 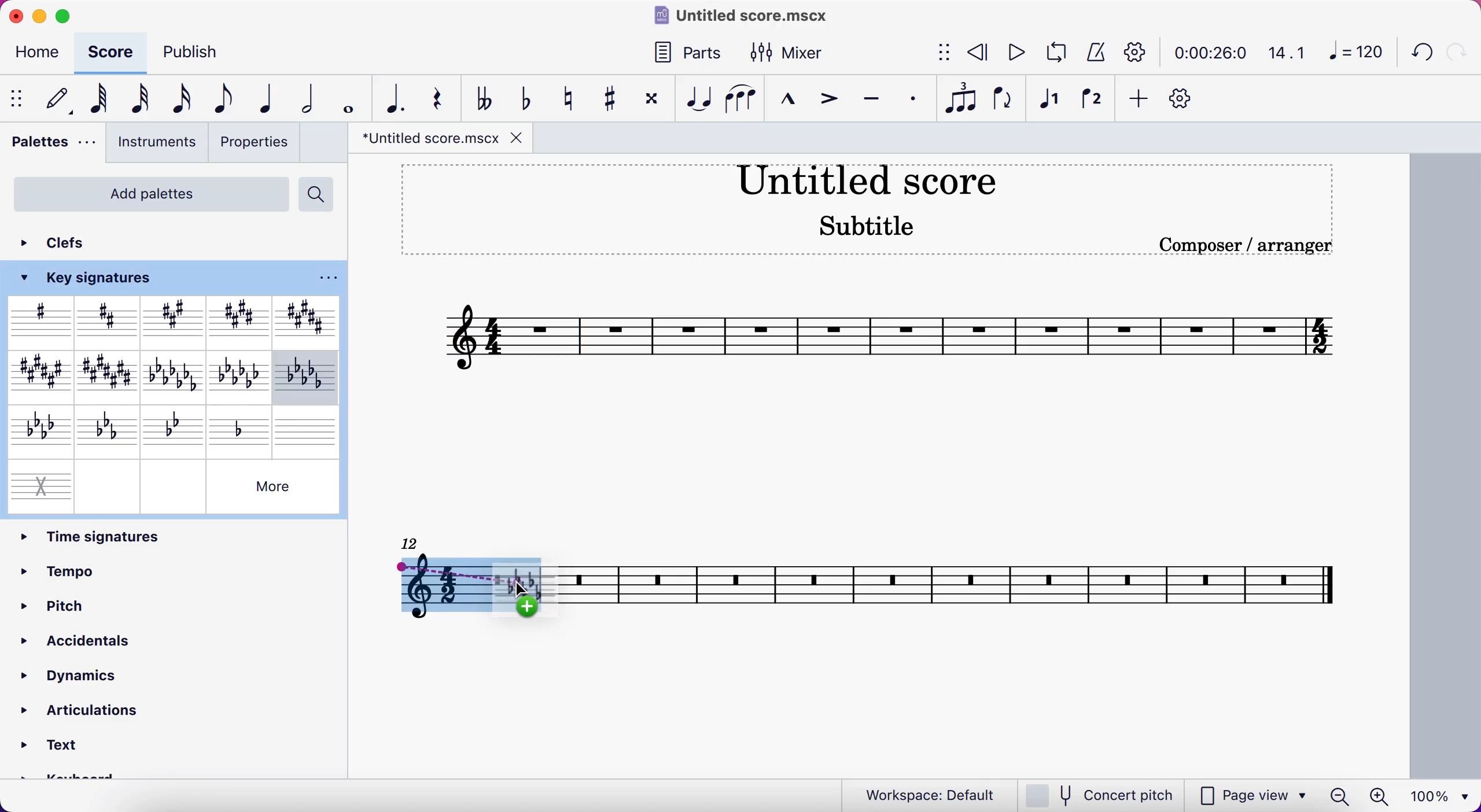 What do you see at coordinates (963, 98) in the screenshot?
I see `tuplet` at bounding box center [963, 98].